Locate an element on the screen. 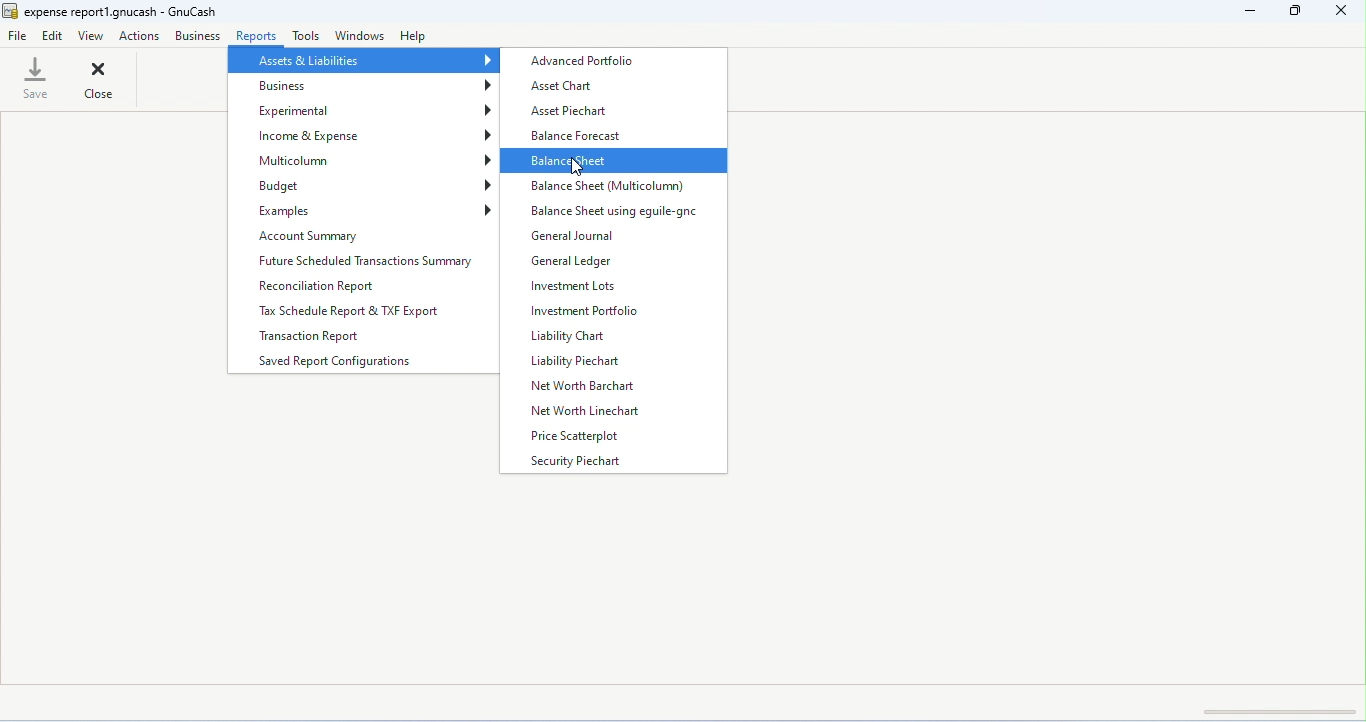 Image resolution: width=1366 pixels, height=722 pixels. maximize is located at coordinates (1292, 11).